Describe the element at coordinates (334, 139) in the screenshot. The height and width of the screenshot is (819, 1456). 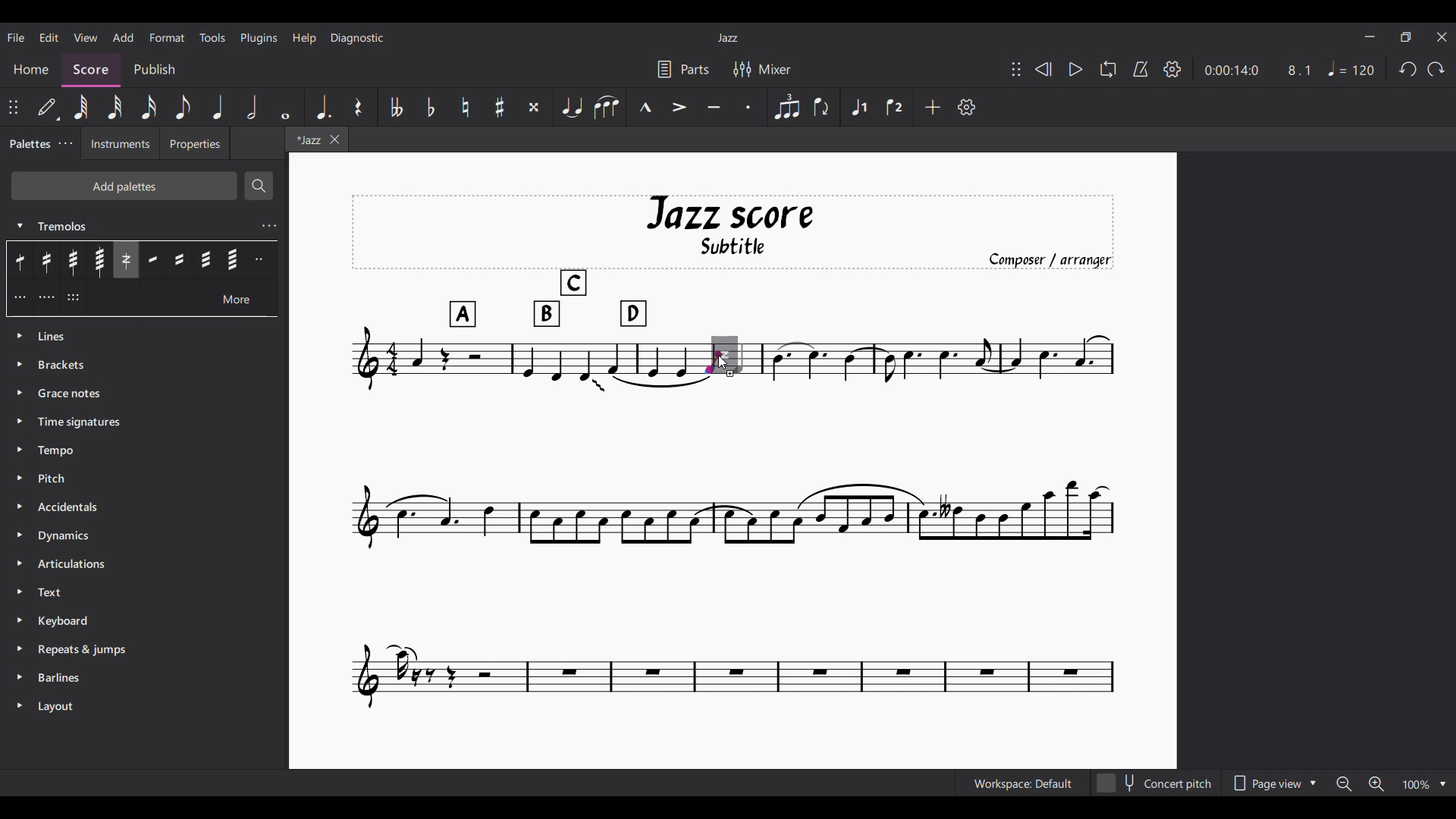
I see `Close tab` at that location.